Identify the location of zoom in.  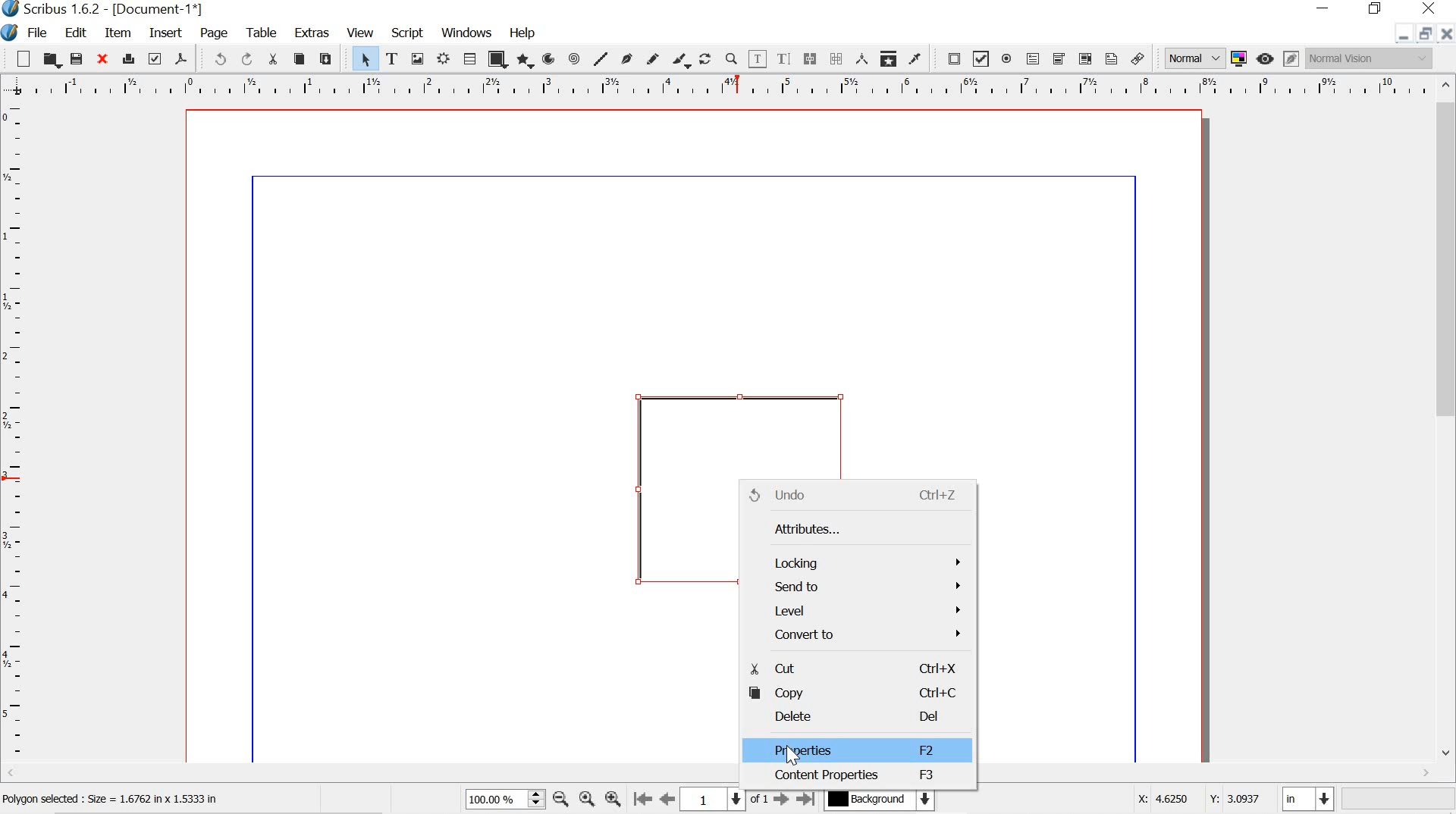
(613, 796).